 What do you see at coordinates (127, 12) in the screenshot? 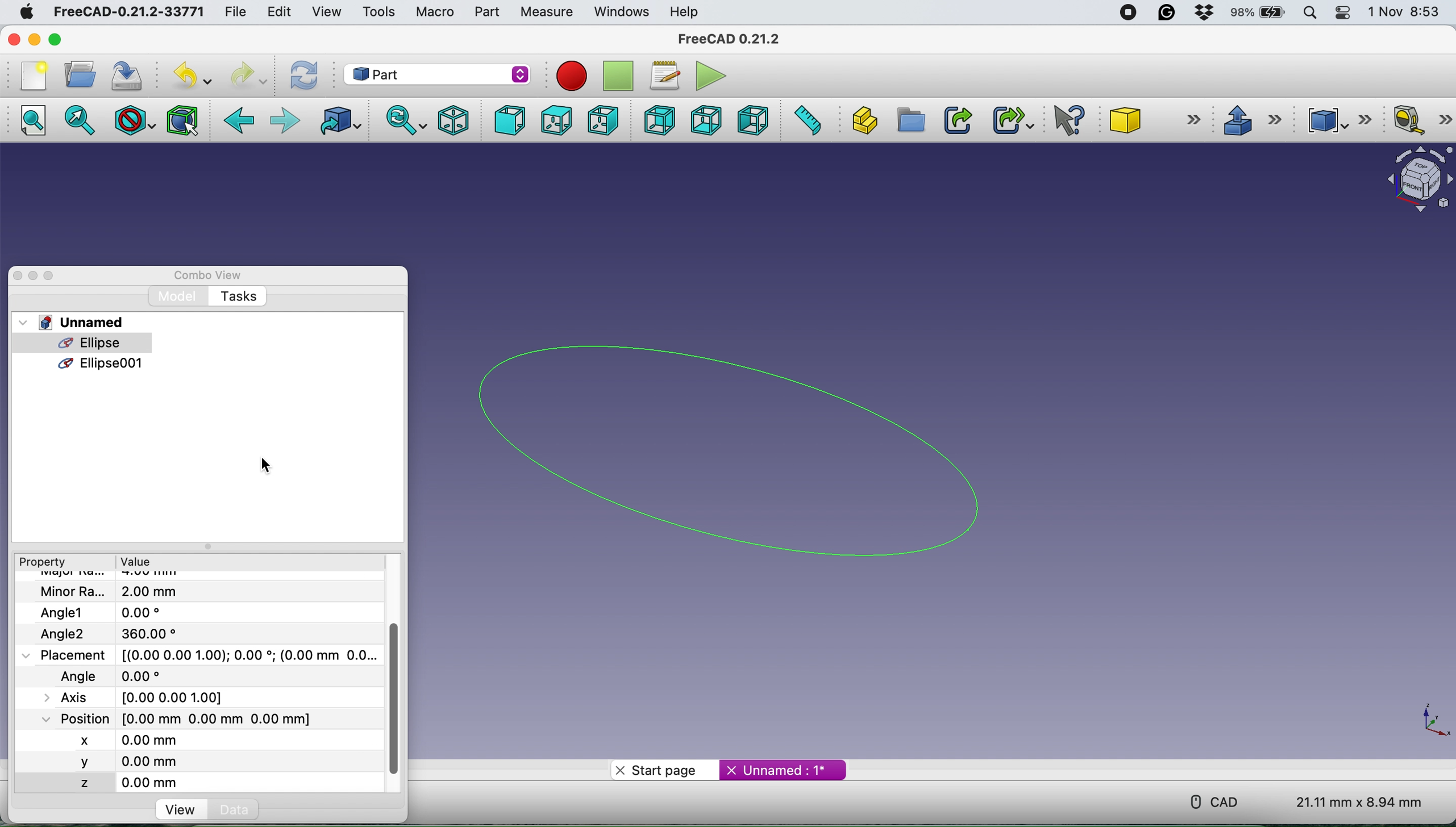
I see `freecad` at bounding box center [127, 12].